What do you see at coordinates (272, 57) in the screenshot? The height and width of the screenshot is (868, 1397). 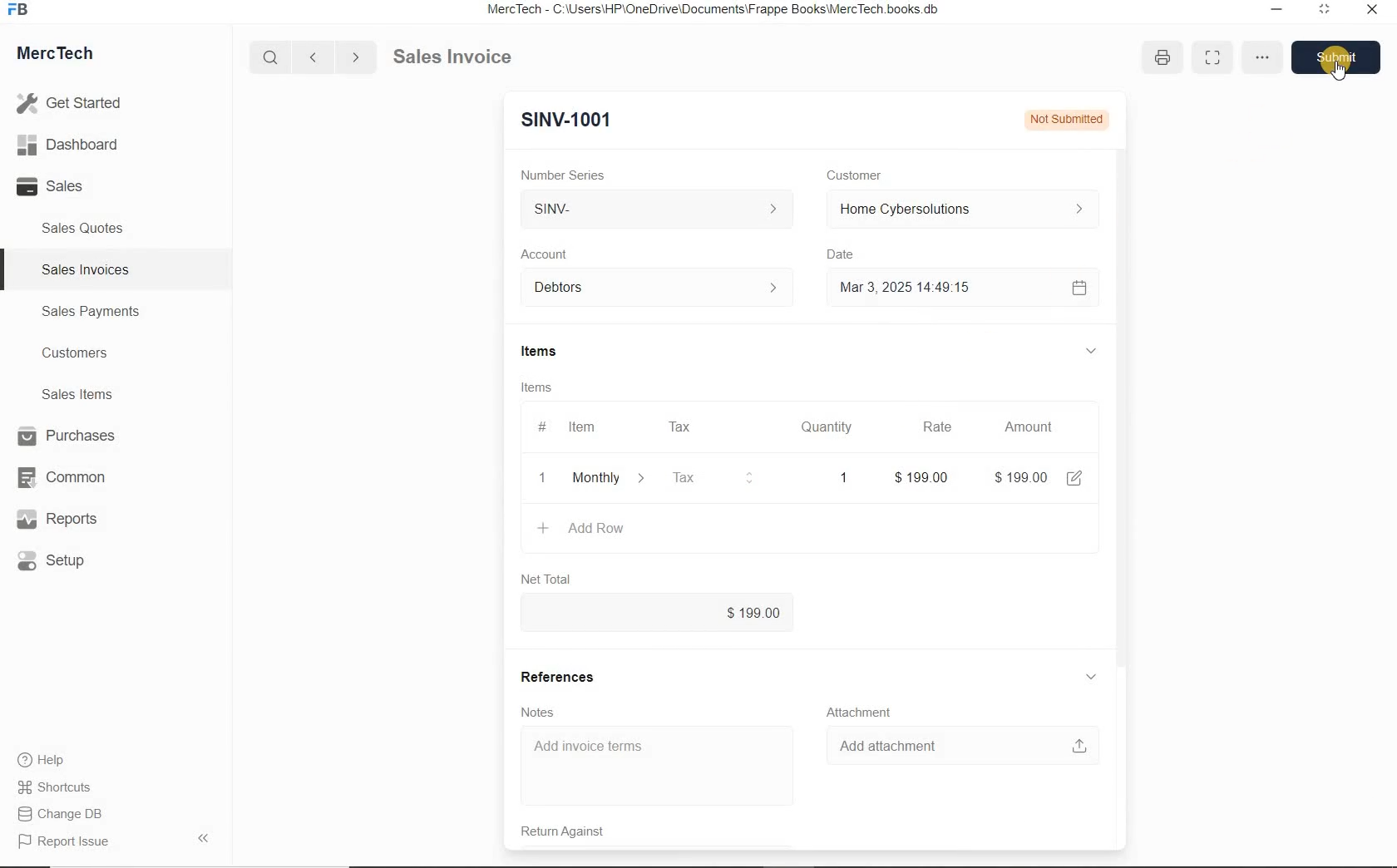 I see `Search` at bounding box center [272, 57].